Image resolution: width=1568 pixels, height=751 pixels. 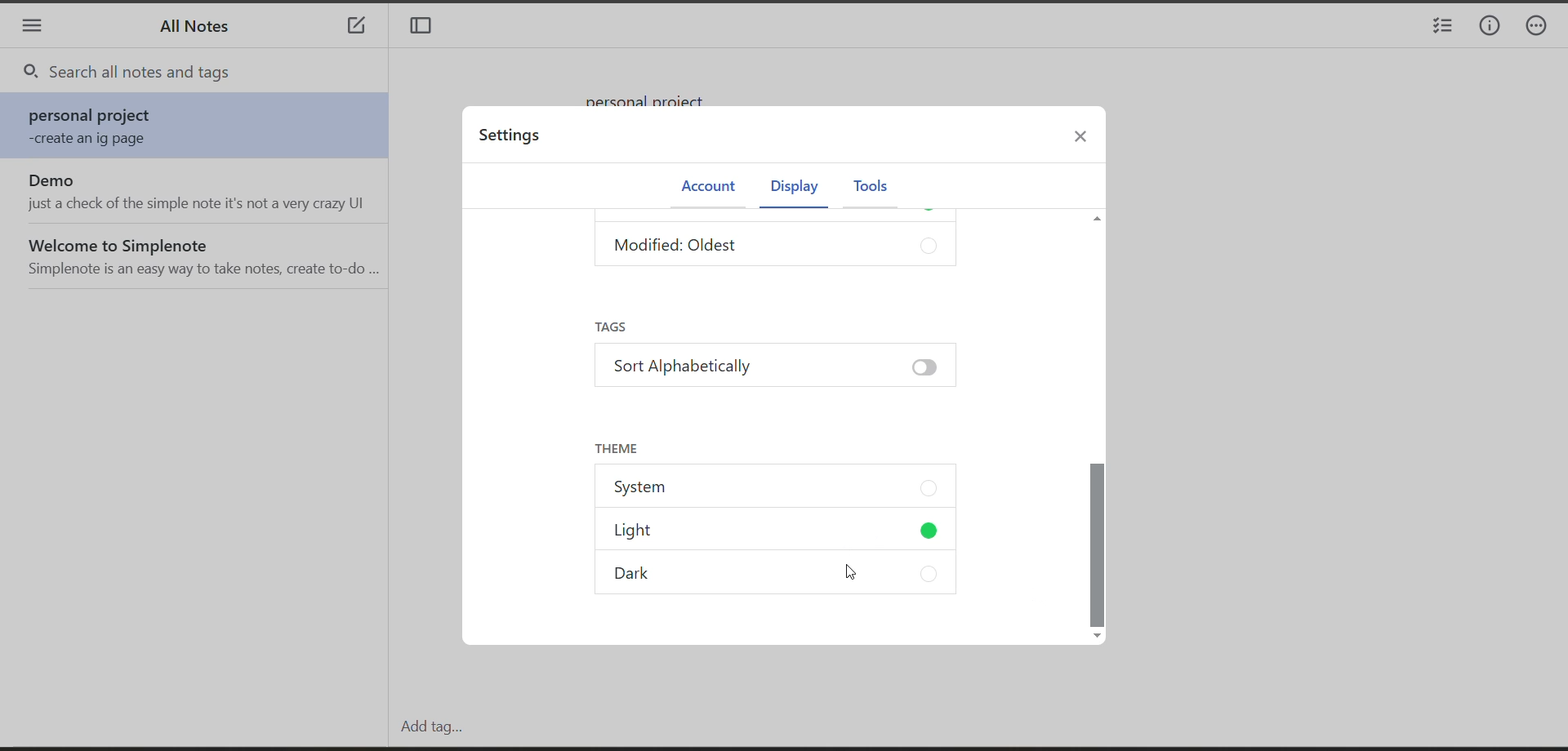 I want to click on all notes, so click(x=201, y=31).